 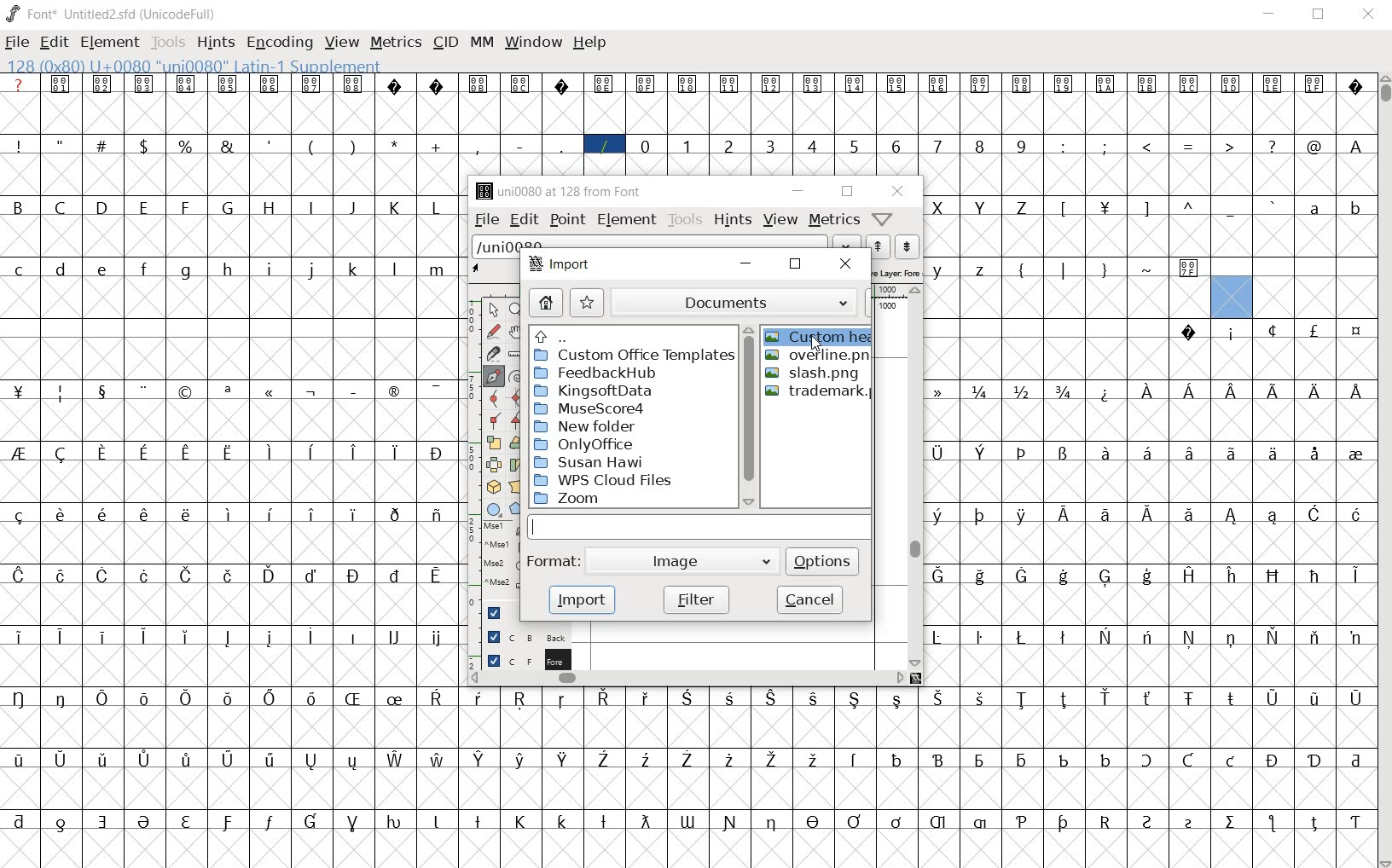 What do you see at coordinates (1147, 84) in the screenshot?
I see `glyph` at bounding box center [1147, 84].